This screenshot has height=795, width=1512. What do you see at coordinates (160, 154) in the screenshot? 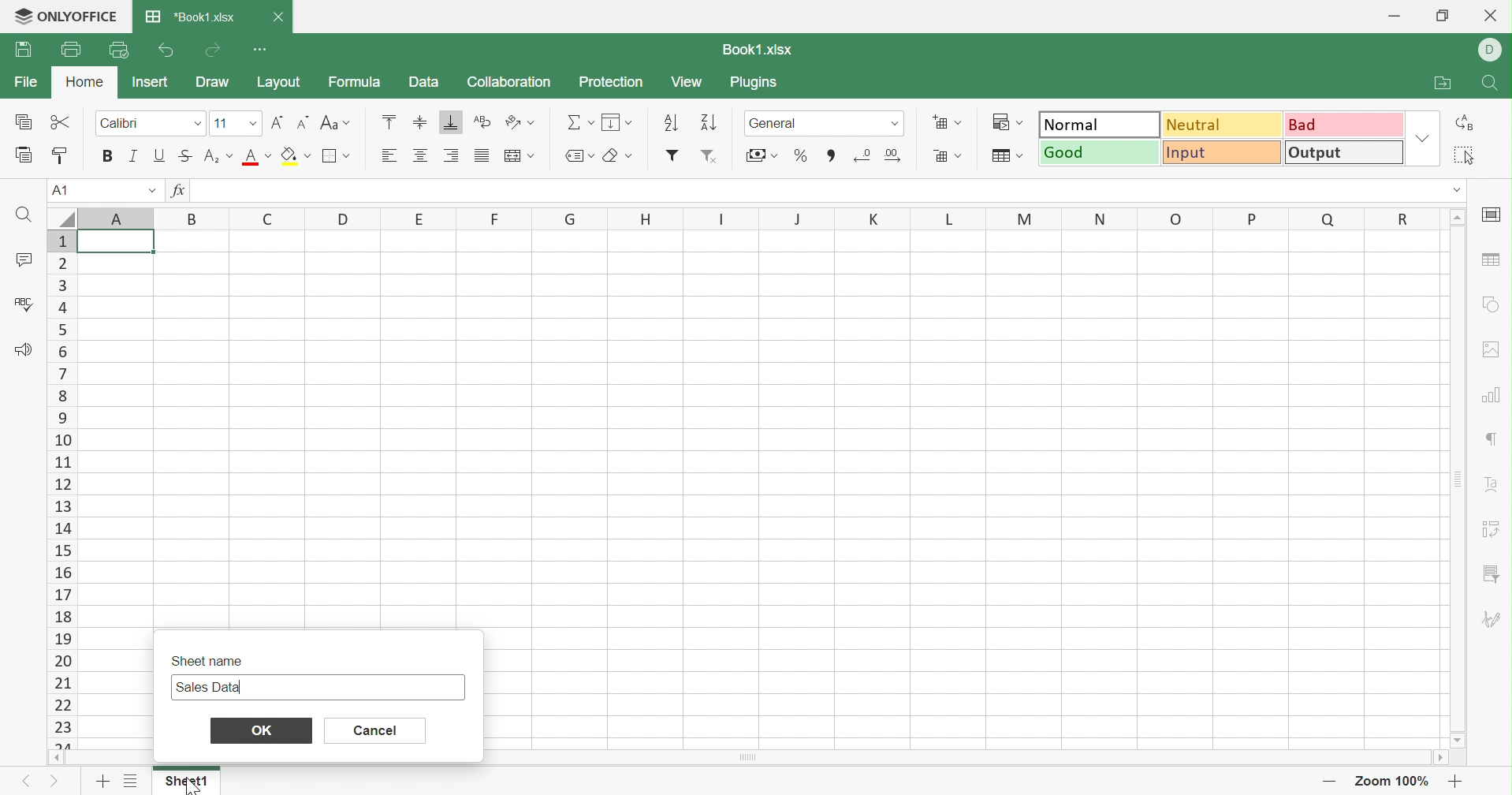
I see `Underline` at bounding box center [160, 154].